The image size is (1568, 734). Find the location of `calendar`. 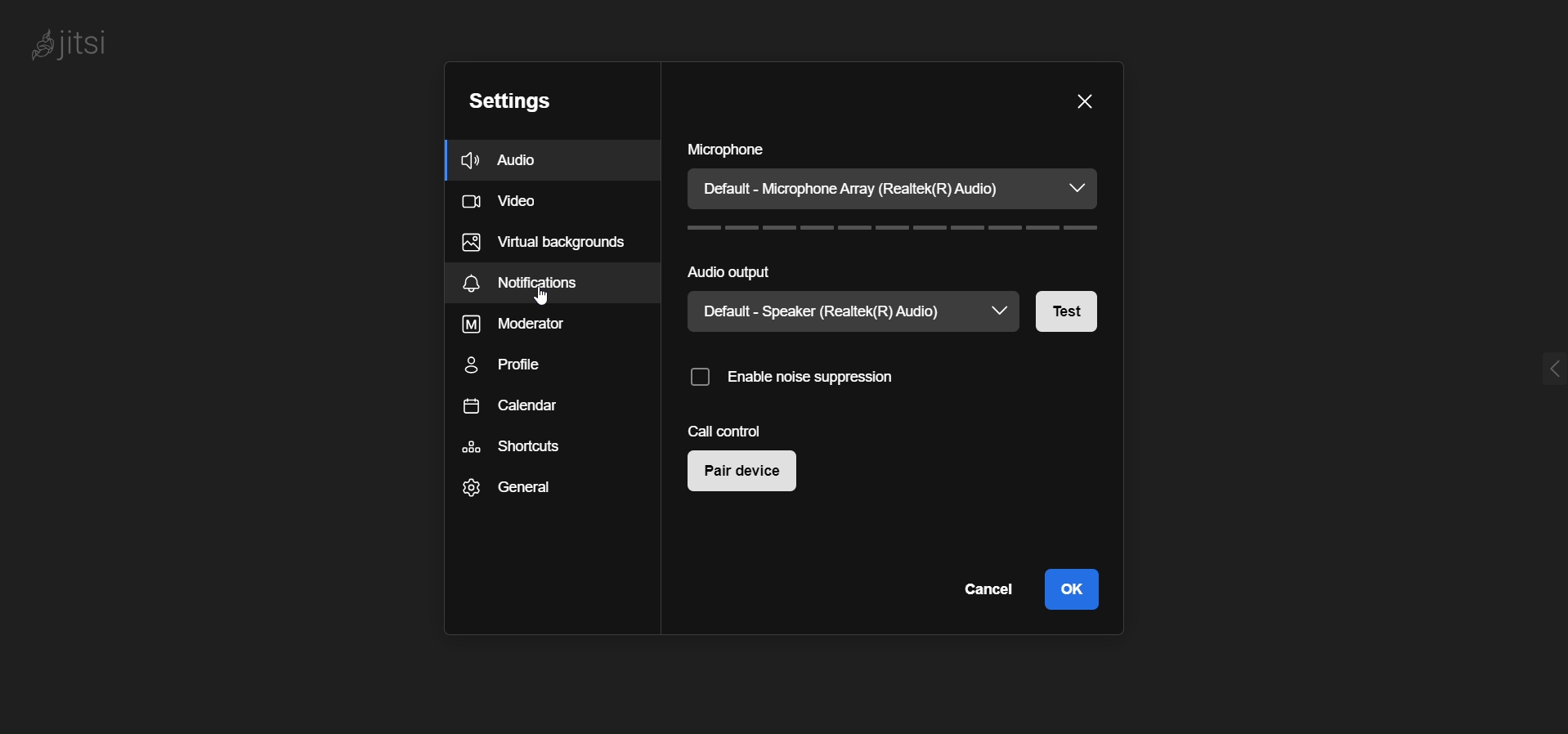

calendar is located at coordinates (528, 407).